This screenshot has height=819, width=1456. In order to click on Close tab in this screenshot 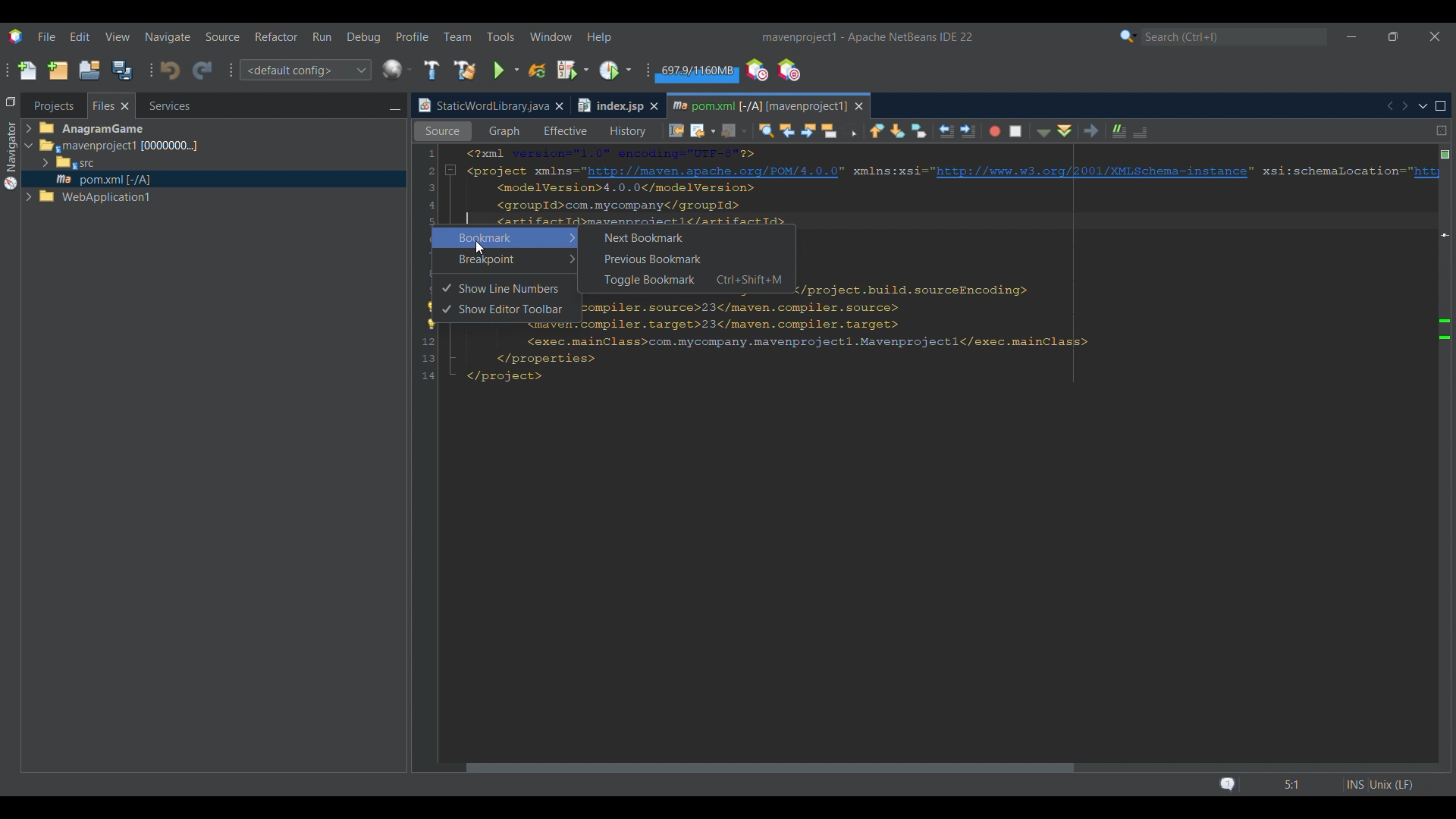, I will do `click(859, 106)`.